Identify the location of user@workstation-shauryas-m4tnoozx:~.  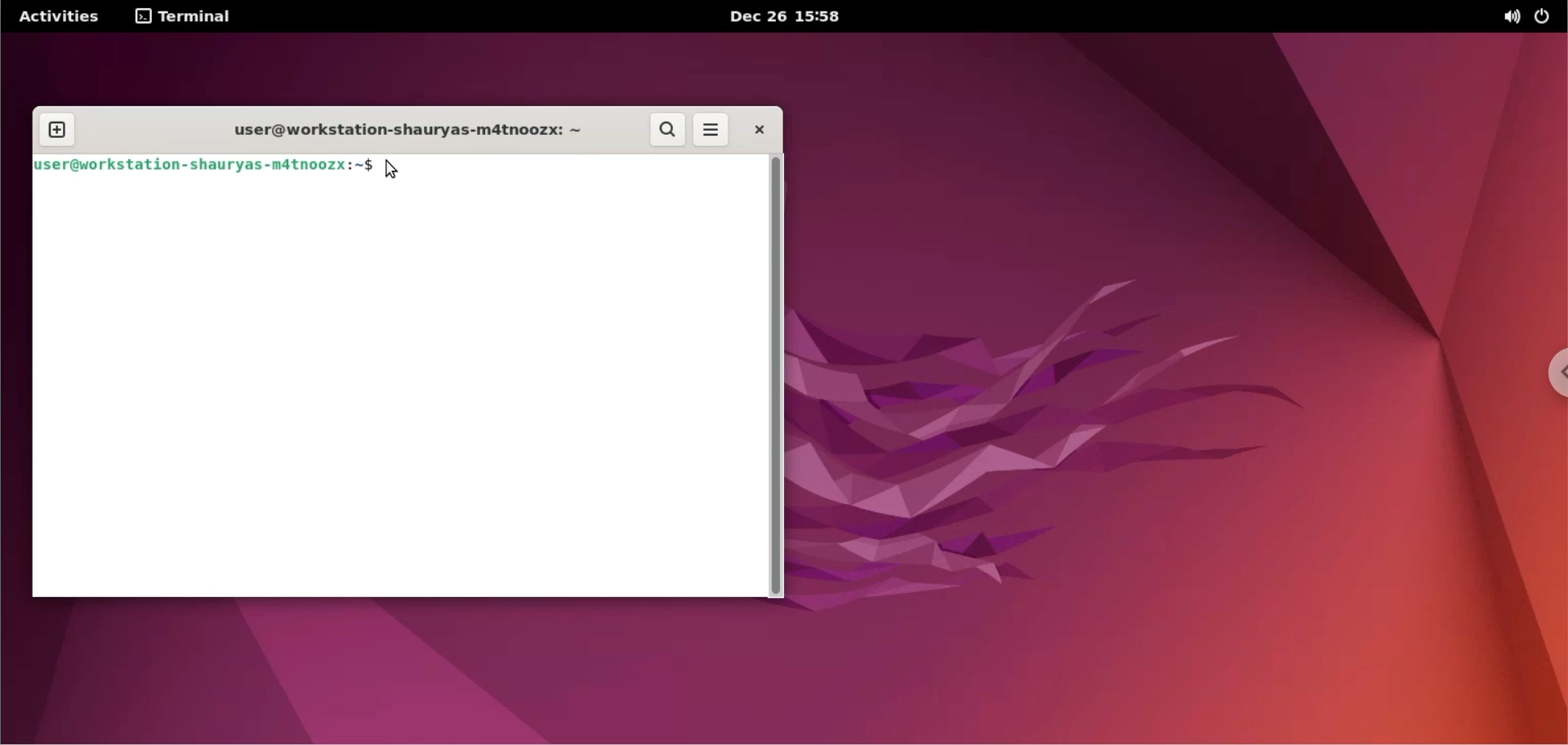
(394, 131).